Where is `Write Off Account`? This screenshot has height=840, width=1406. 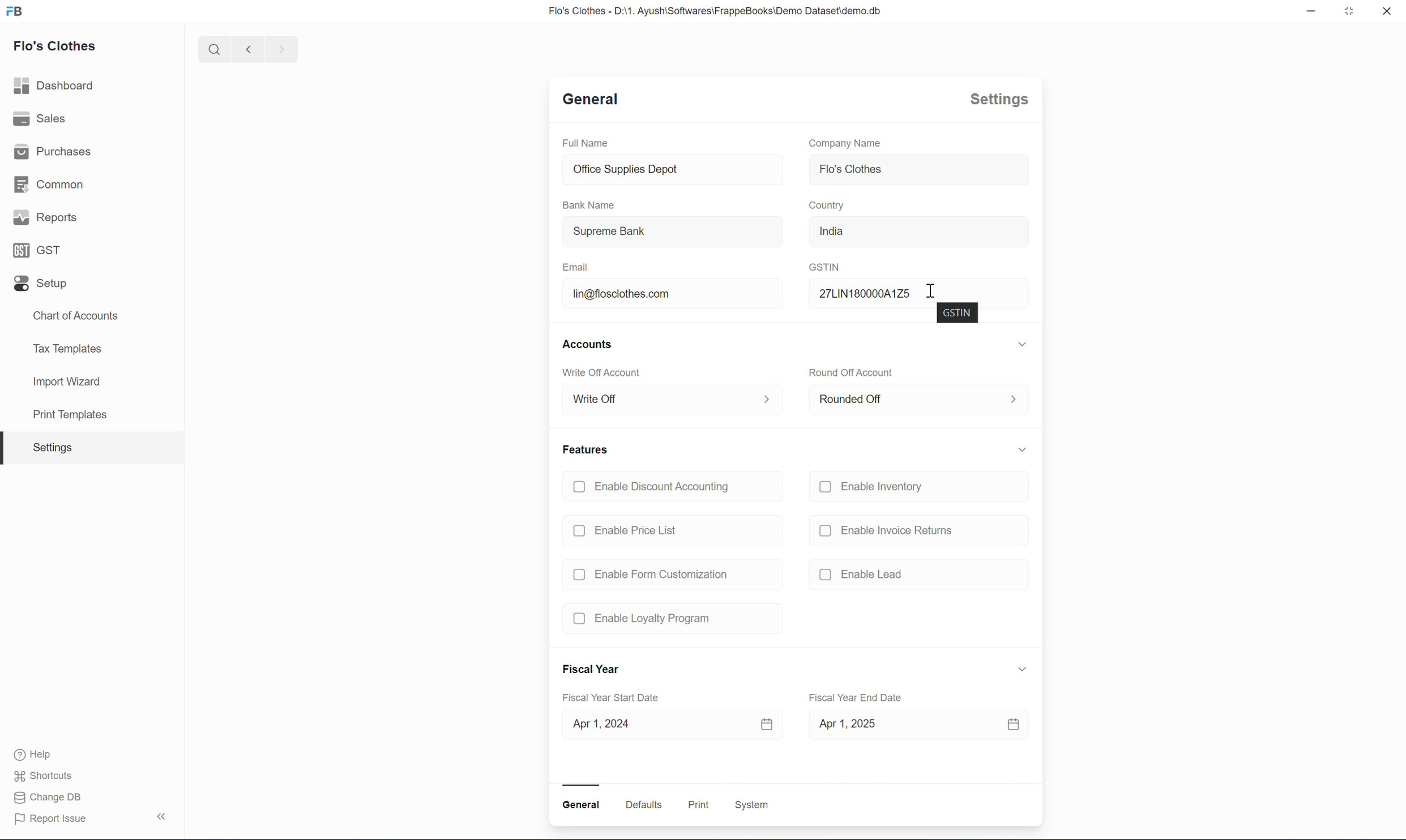 Write Off Account is located at coordinates (601, 373).